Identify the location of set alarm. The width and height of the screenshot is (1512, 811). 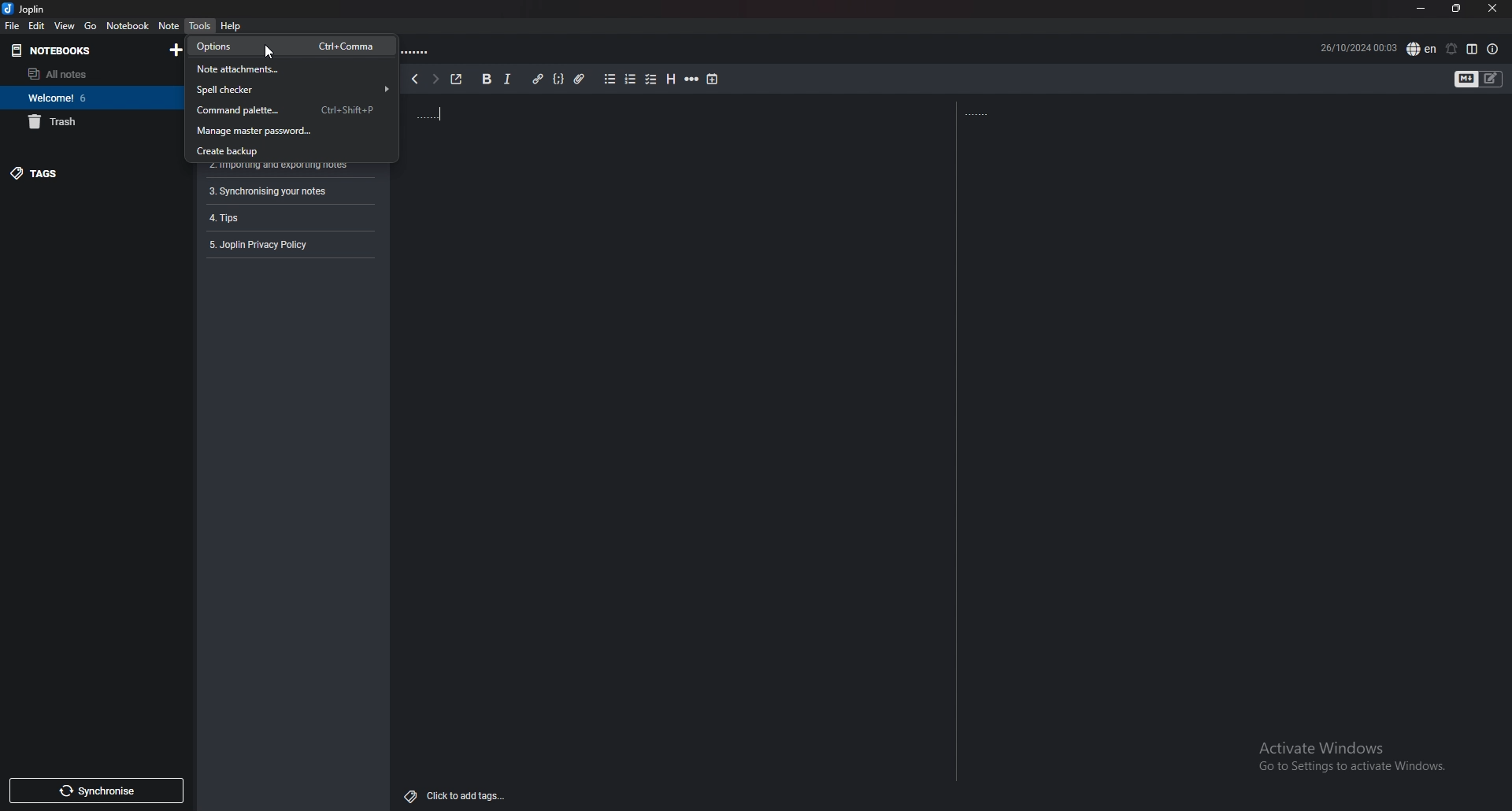
(1452, 48).